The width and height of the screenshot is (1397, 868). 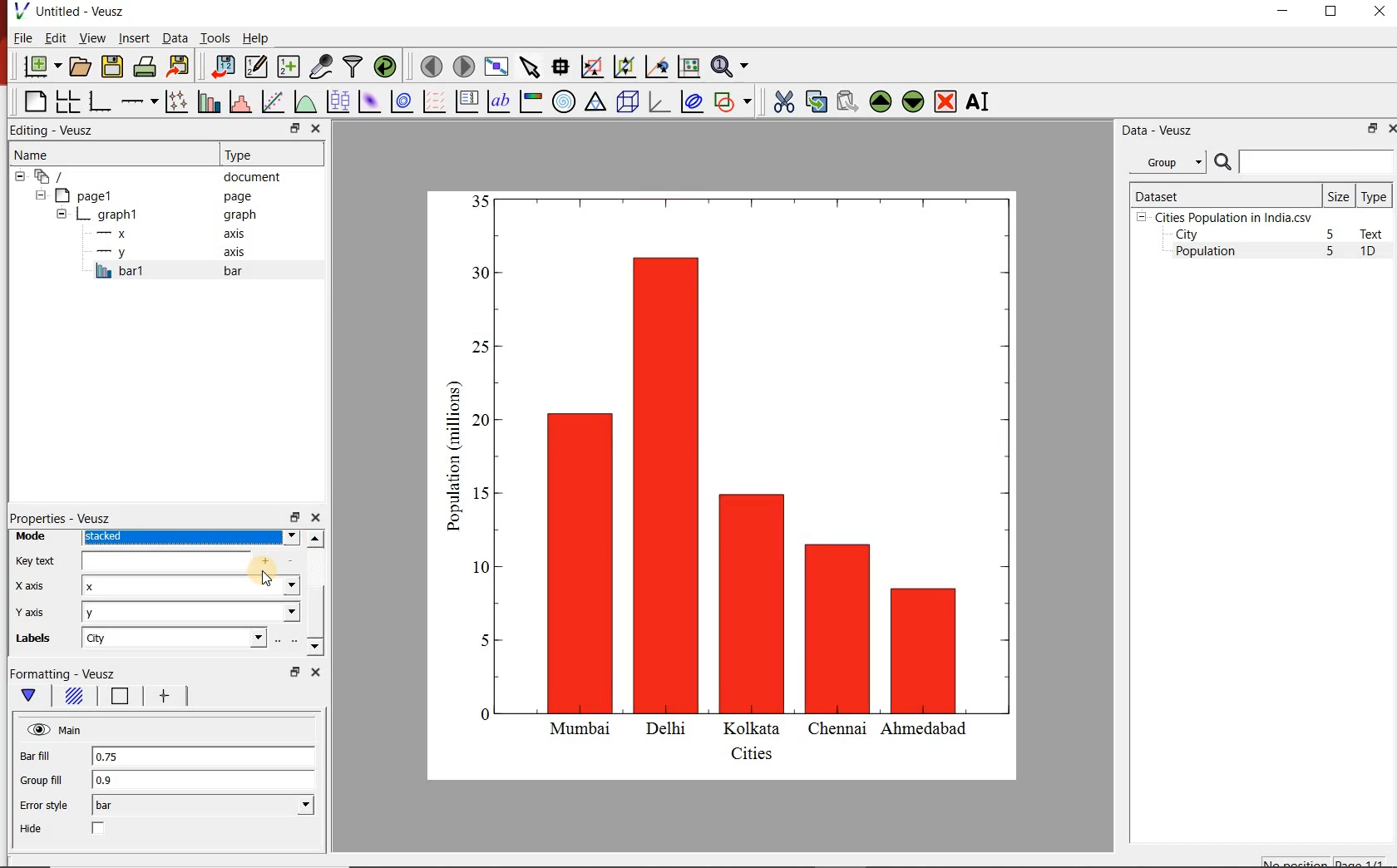 What do you see at coordinates (79, 67) in the screenshot?
I see `open a document` at bounding box center [79, 67].